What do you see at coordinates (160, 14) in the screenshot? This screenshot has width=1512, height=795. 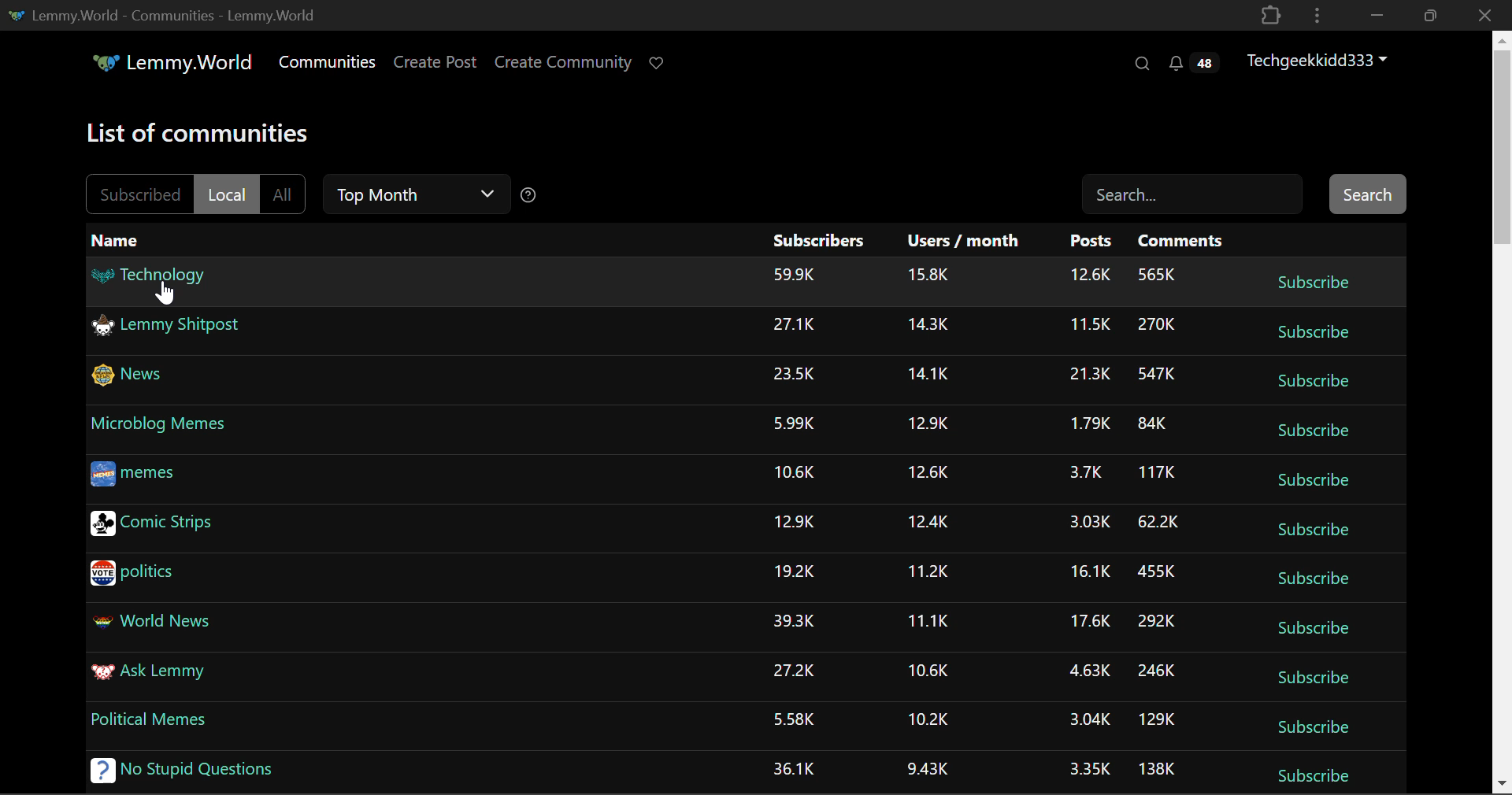 I see `Lemmy.World - Communities - Lemmy.World` at bounding box center [160, 14].